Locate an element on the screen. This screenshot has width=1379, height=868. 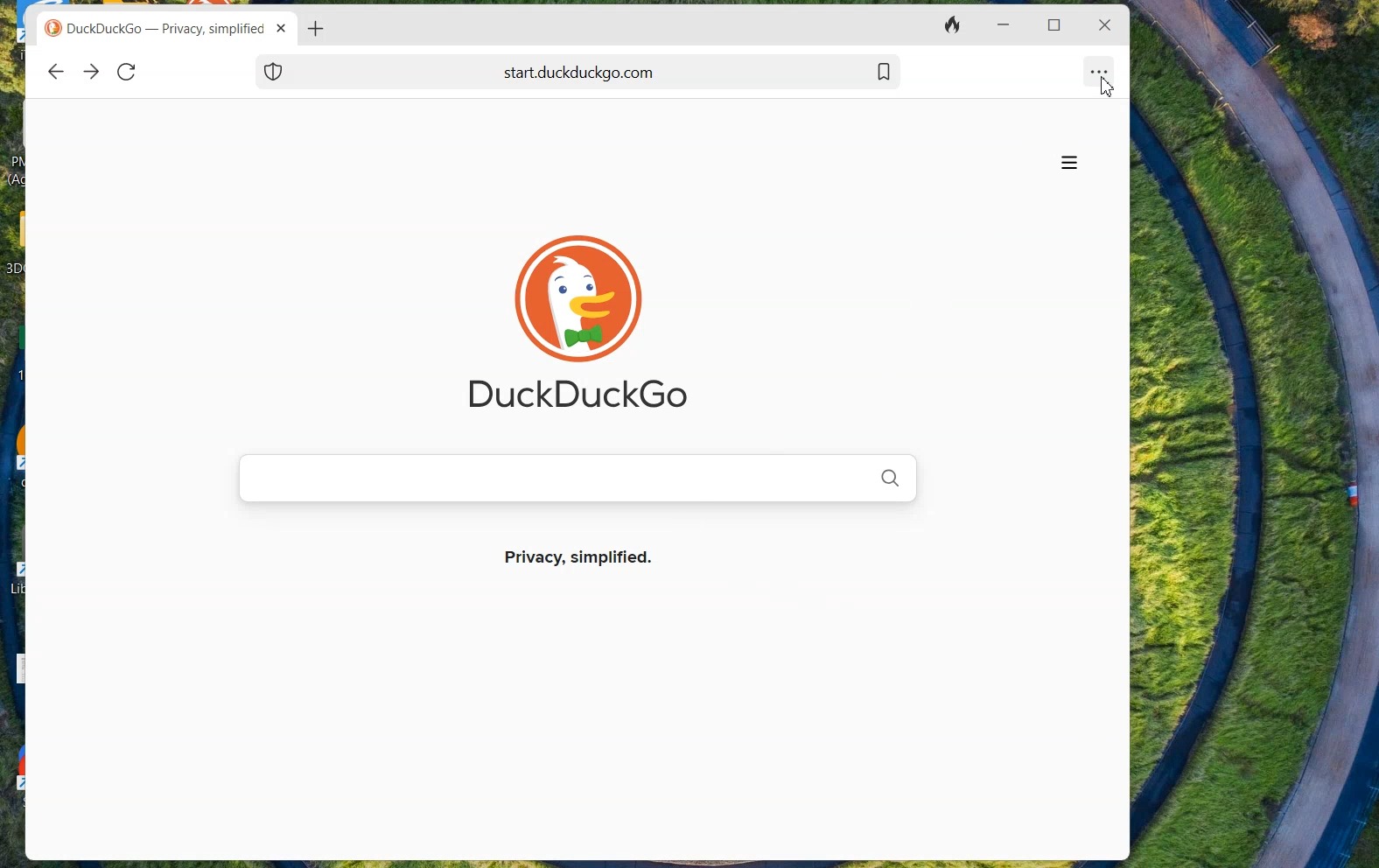
Privacy, simplified. is located at coordinates (579, 555).